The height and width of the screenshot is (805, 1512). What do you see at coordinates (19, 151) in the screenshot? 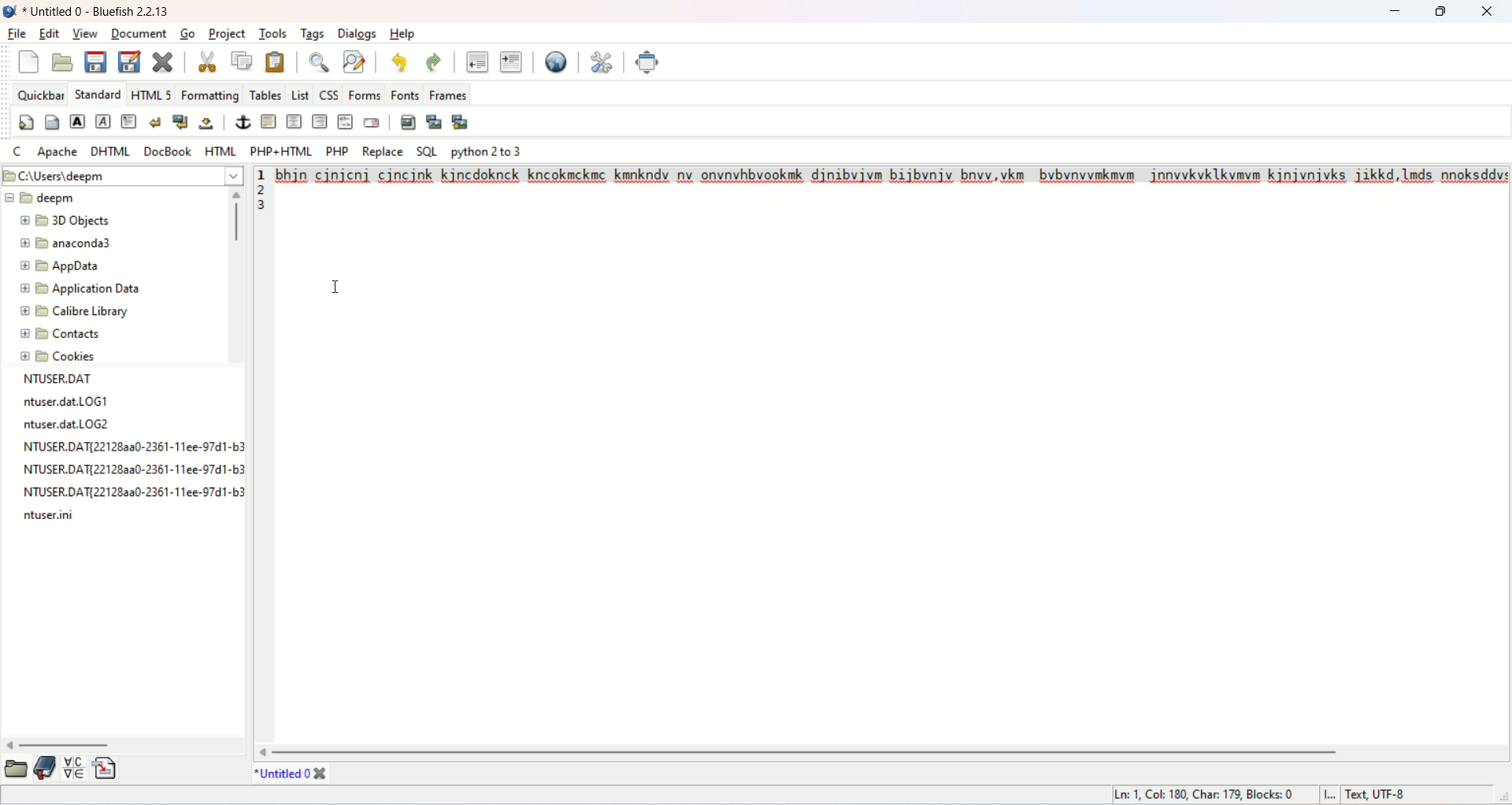
I see `C` at bounding box center [19, 151].